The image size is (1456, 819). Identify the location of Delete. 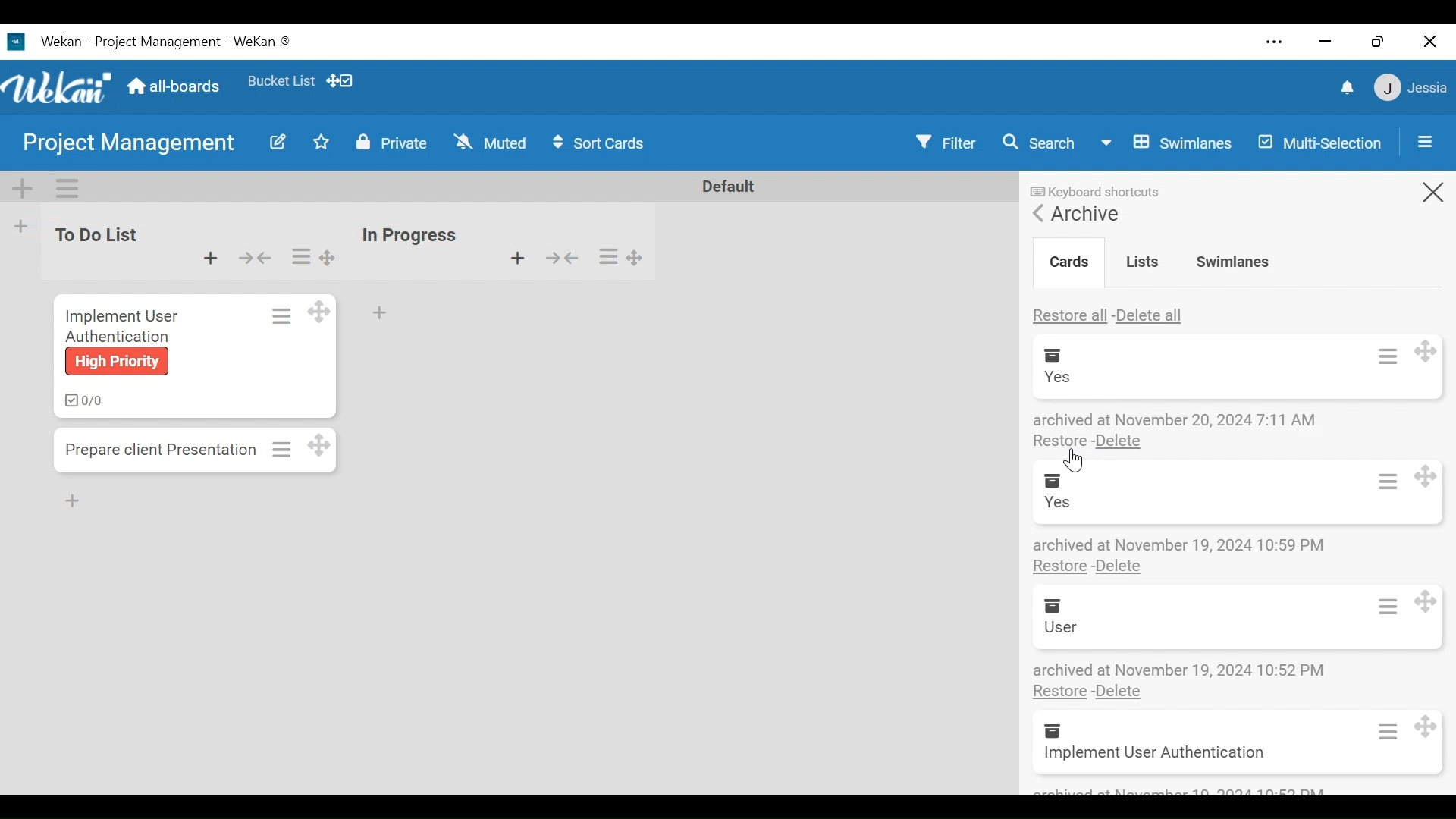
(1119, 443).